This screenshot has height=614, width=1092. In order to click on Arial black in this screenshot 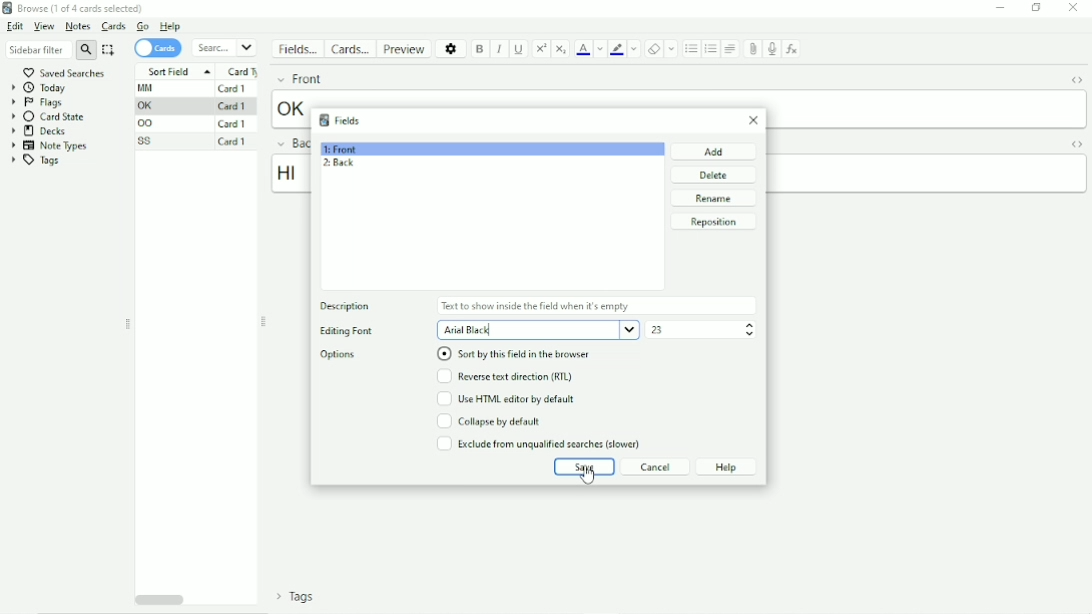, I will do `click(537, 330)`.